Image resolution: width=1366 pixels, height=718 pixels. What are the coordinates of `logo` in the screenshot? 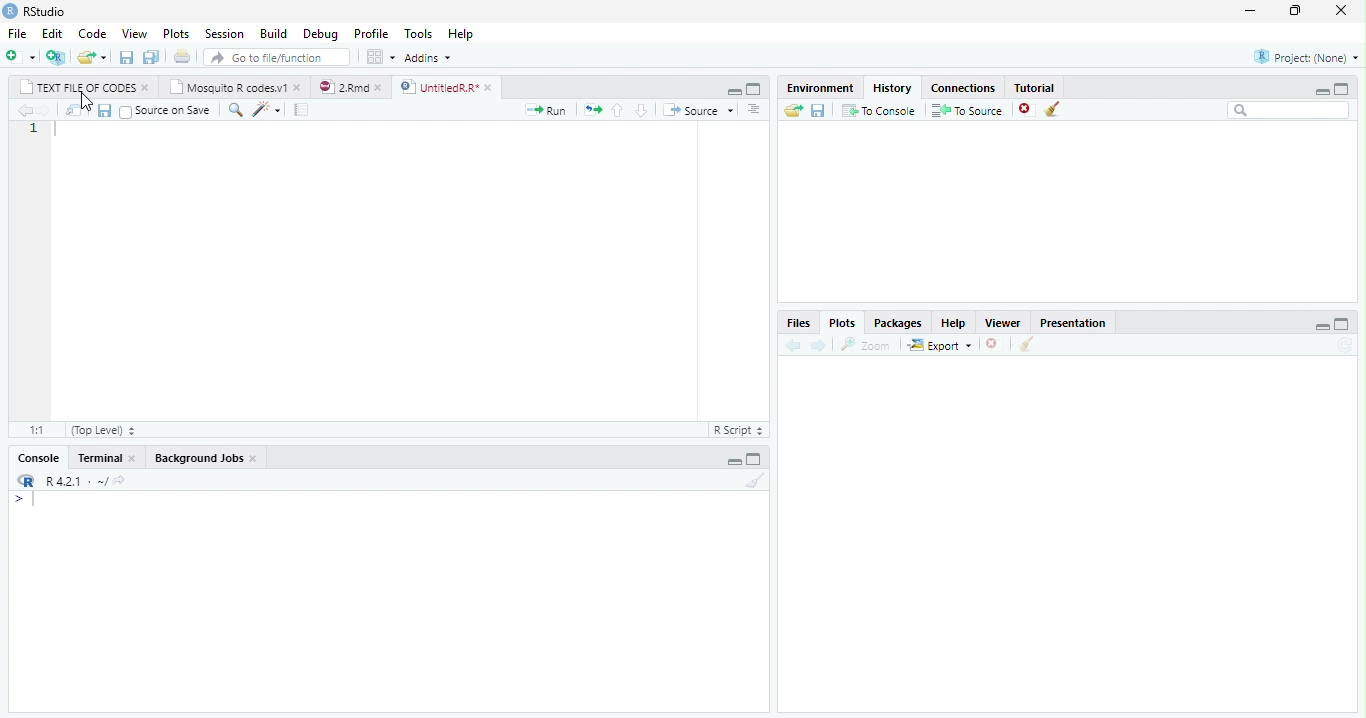 It's located at (11, 12).